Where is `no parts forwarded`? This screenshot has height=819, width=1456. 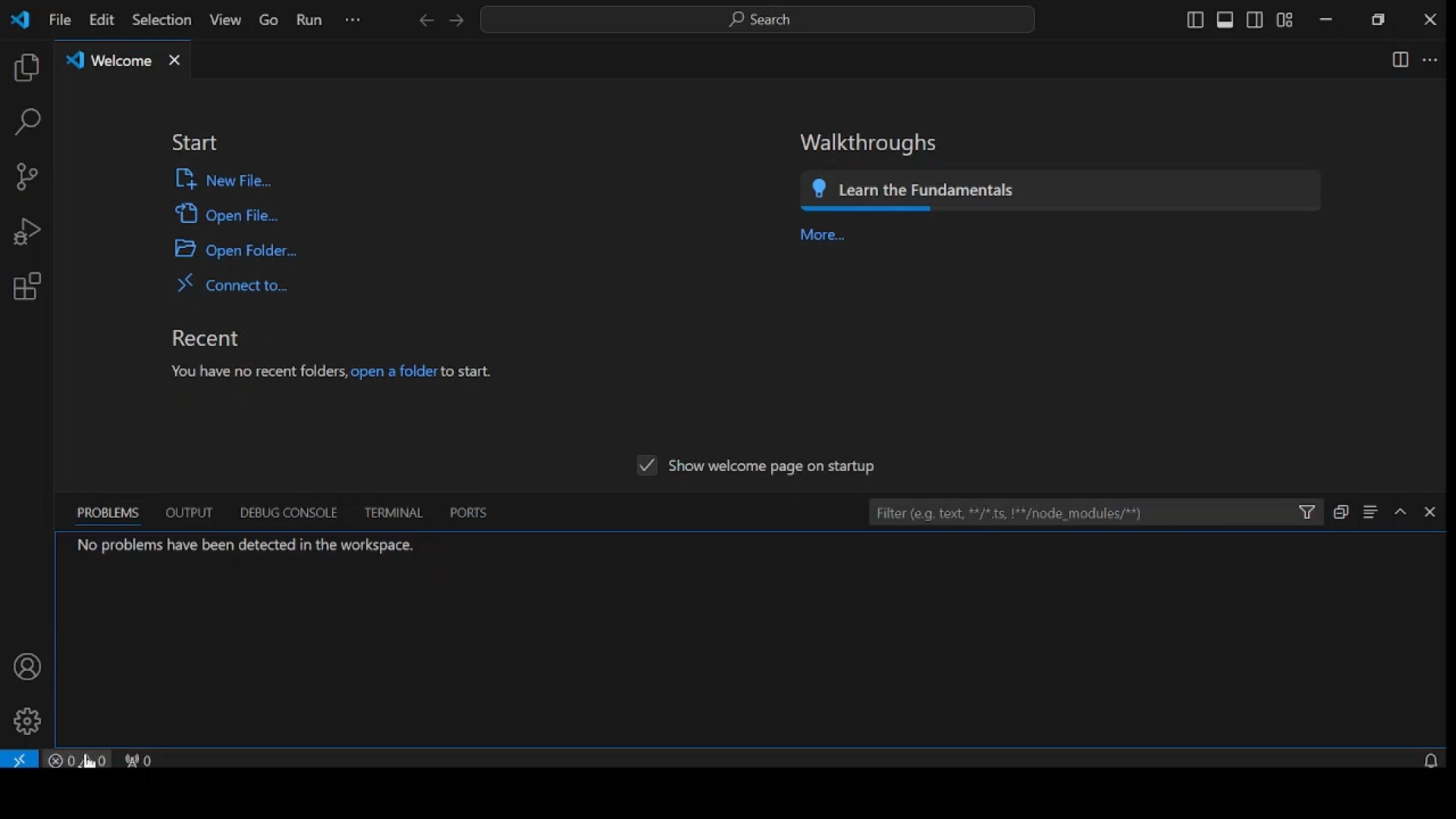 no parts forwarded is located at coordinates (147, 760).